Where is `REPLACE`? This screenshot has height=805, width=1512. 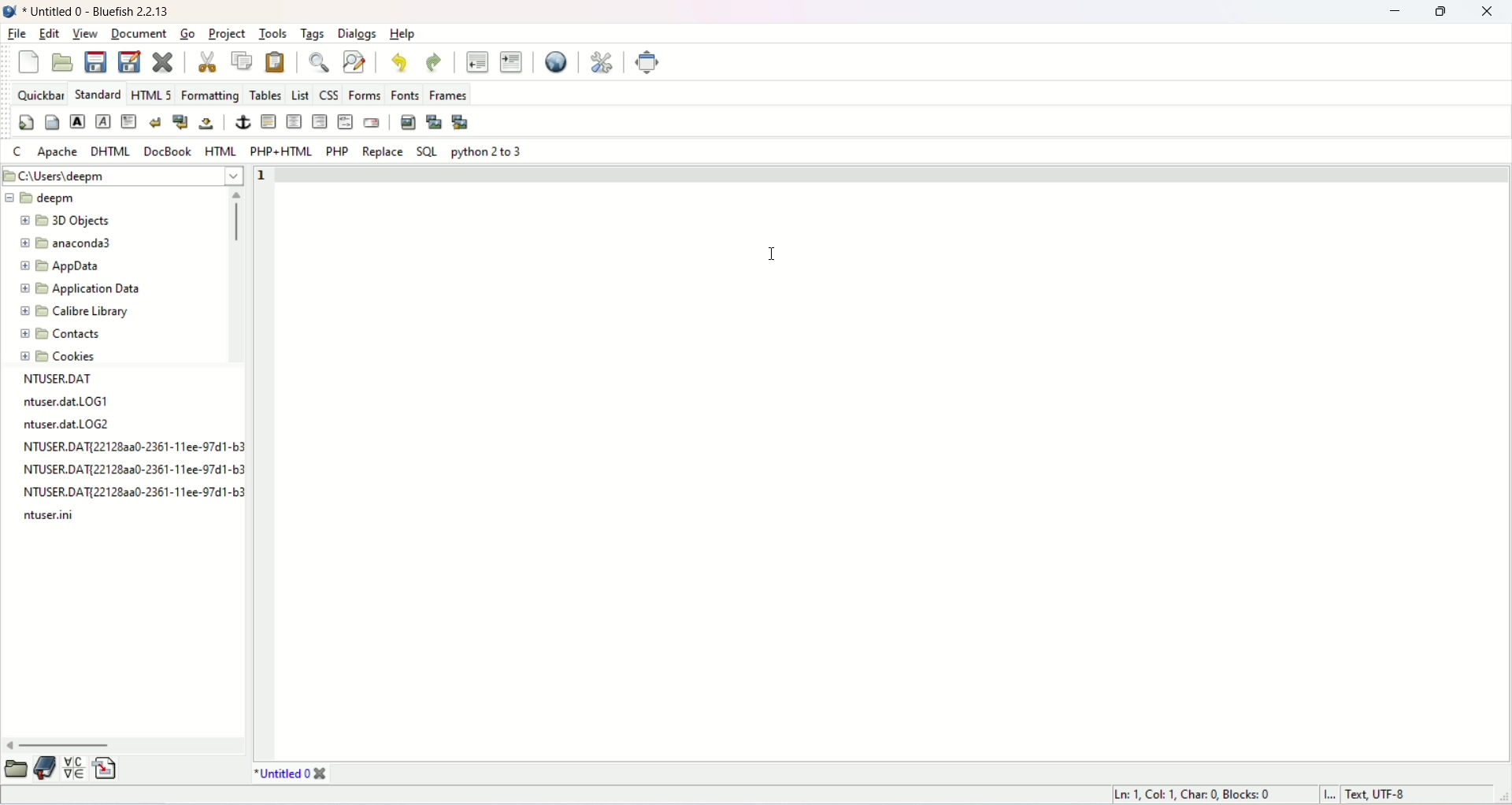
REPLACE is located at coordinates (380, 153).